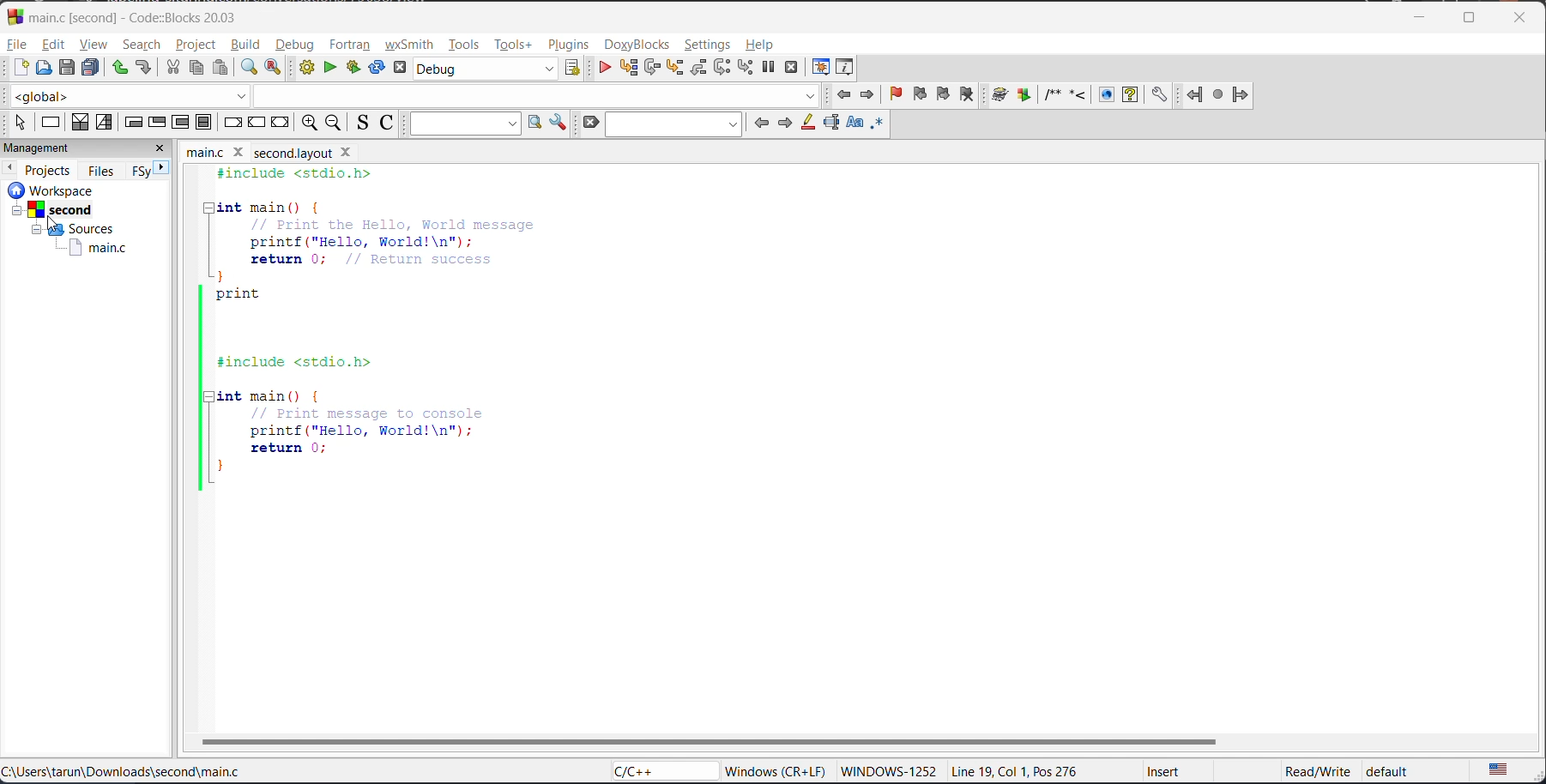 The image size is (1546, 784). I want to click on zoom in, so click(308, 122).